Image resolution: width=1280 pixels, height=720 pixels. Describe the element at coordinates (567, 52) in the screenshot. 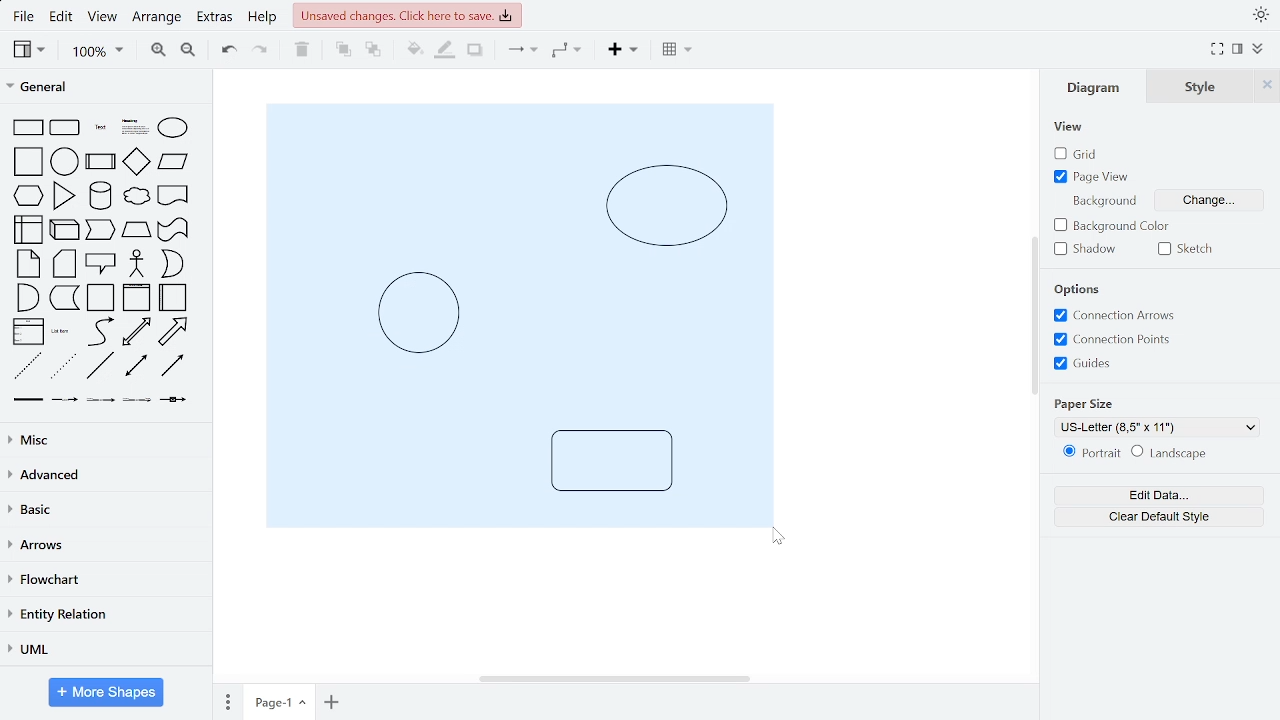

I see `waypoints` at that location.